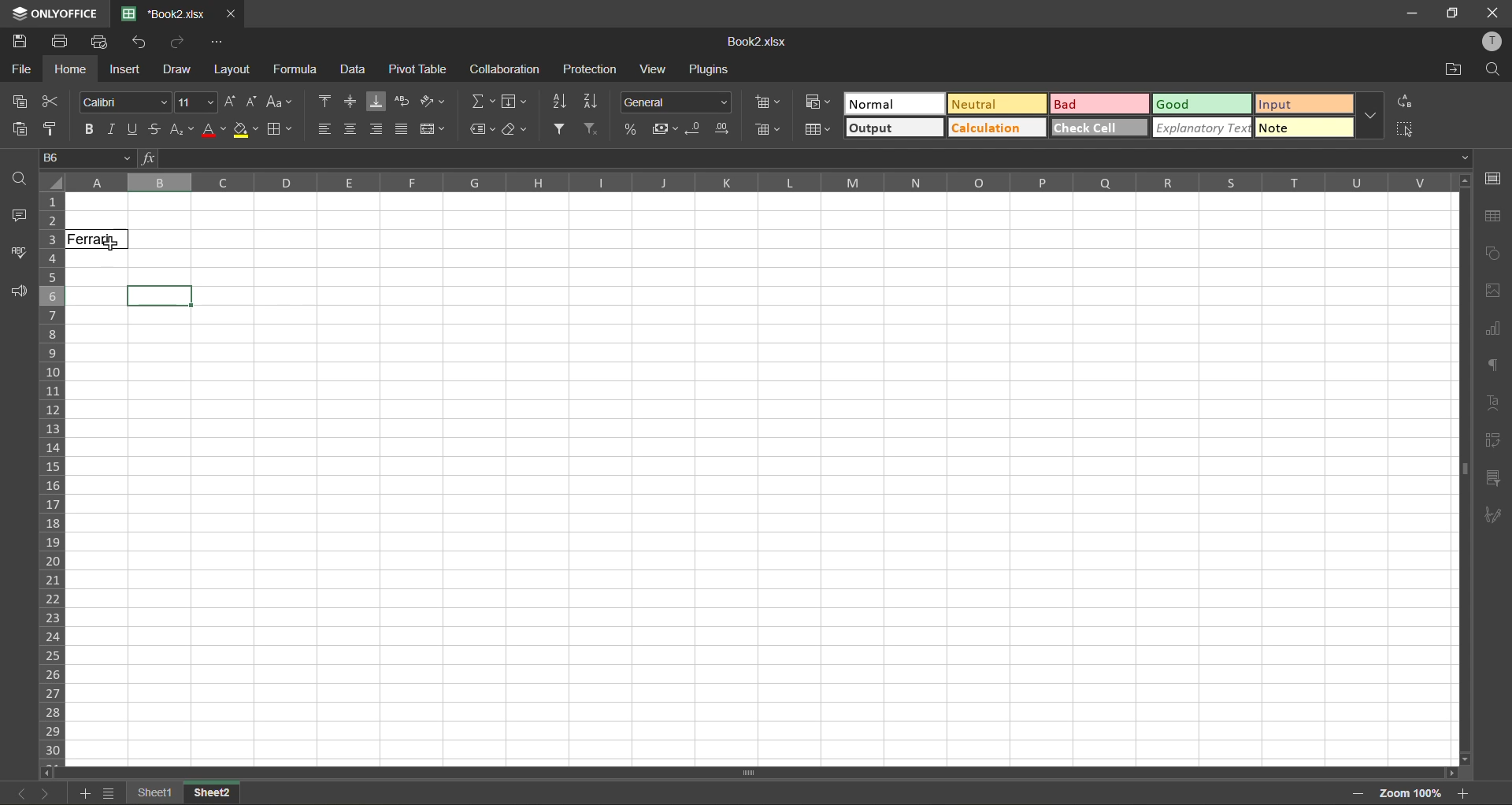  Describe the element at coordinates (184, 795) in the screenshot. I see `sheet names` at that location.